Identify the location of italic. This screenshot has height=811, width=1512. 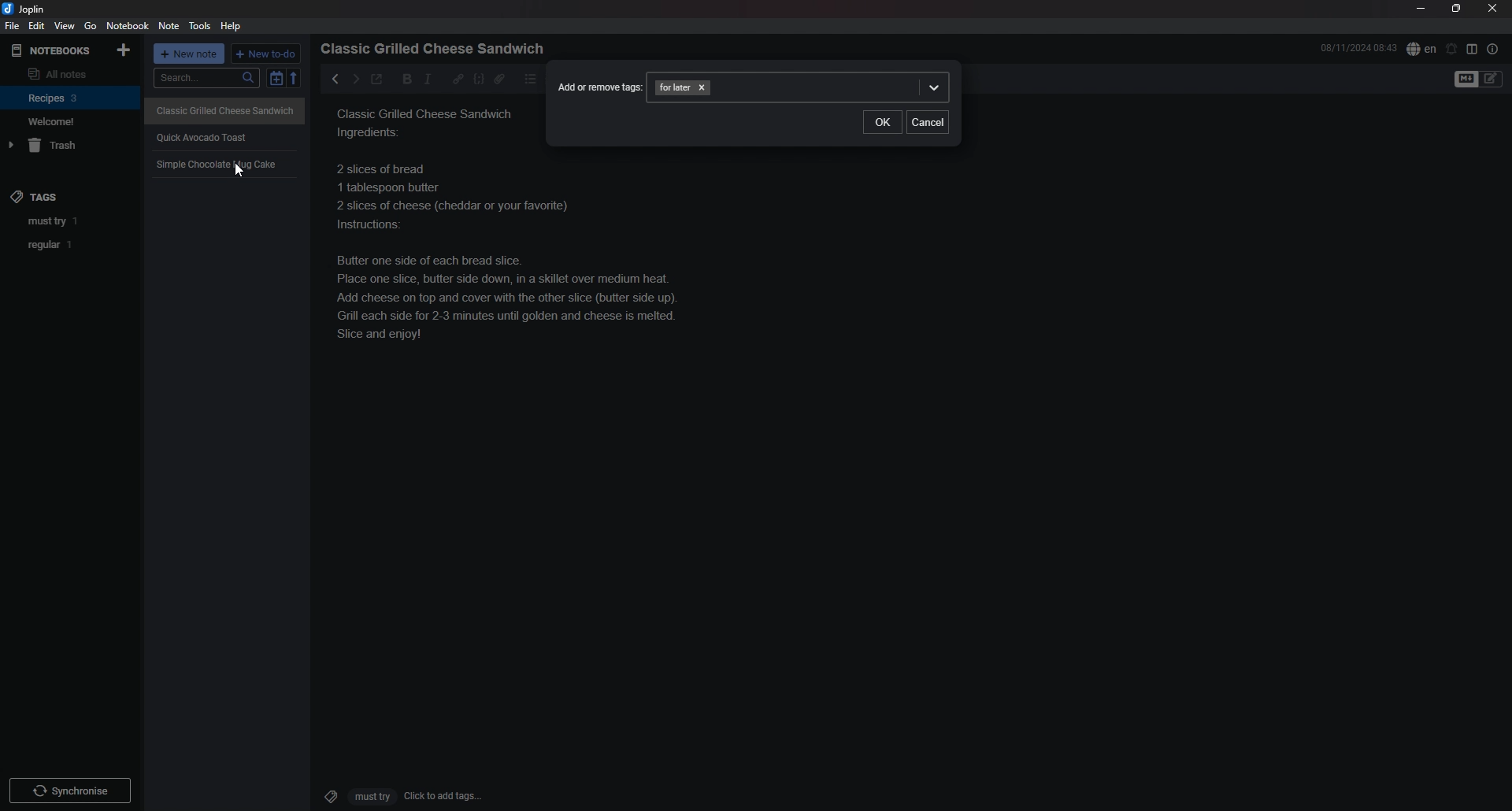
(428, 79).